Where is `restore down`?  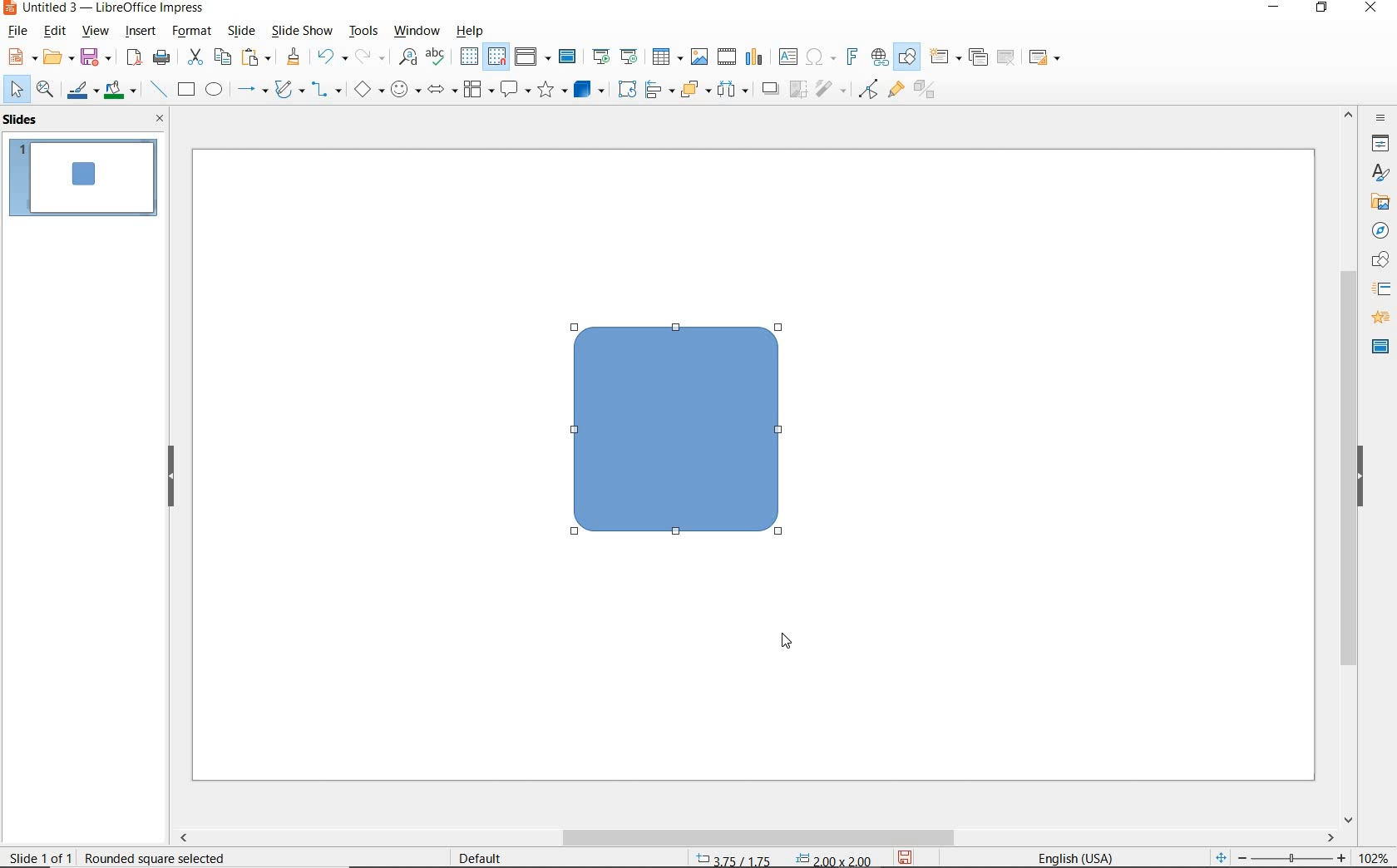 restore down is located at coordinates (1324, 10).